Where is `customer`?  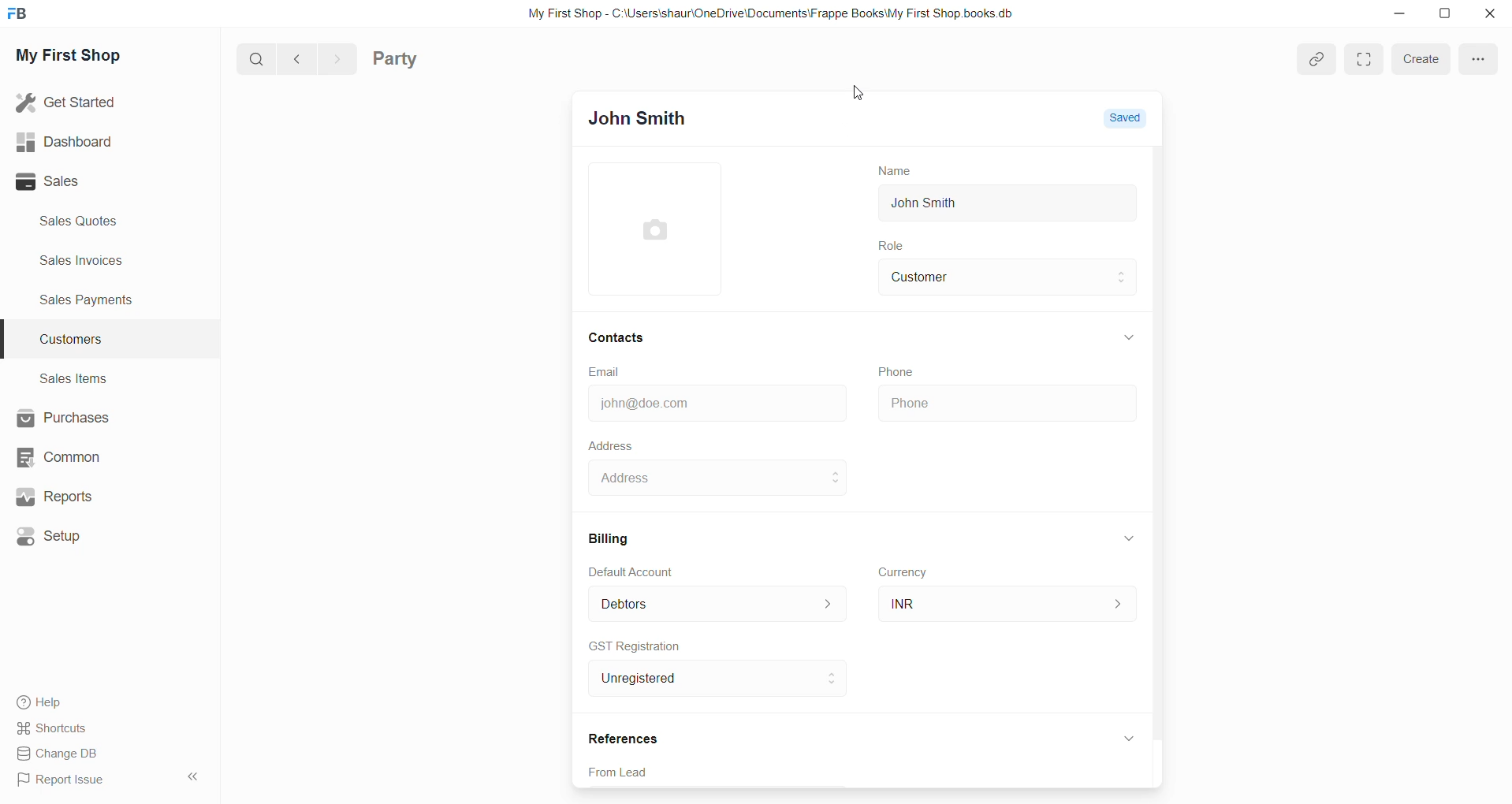 customer is located at coordinates (989, 277).